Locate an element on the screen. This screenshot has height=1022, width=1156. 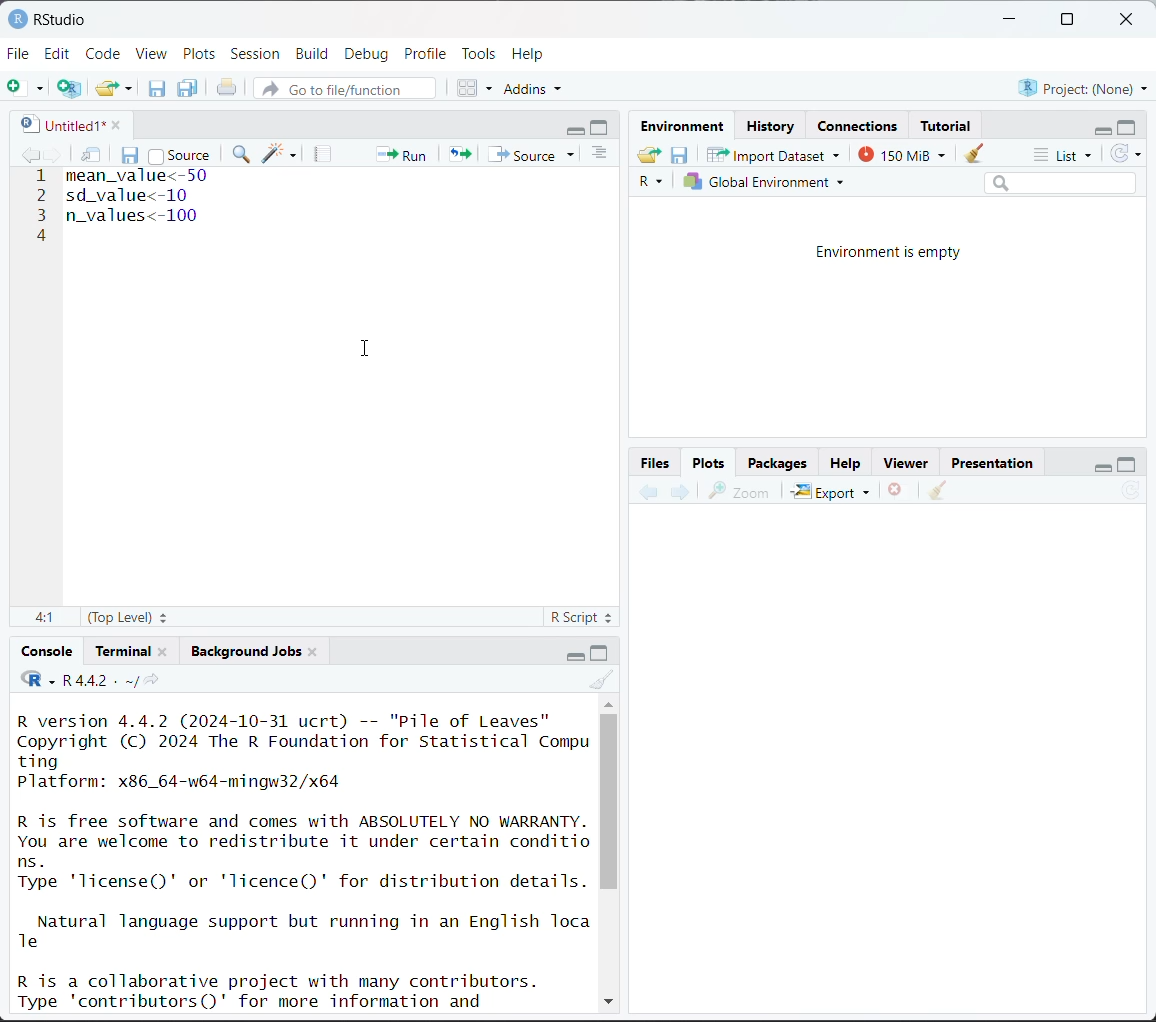
R script is located at coordinates (582, 620).